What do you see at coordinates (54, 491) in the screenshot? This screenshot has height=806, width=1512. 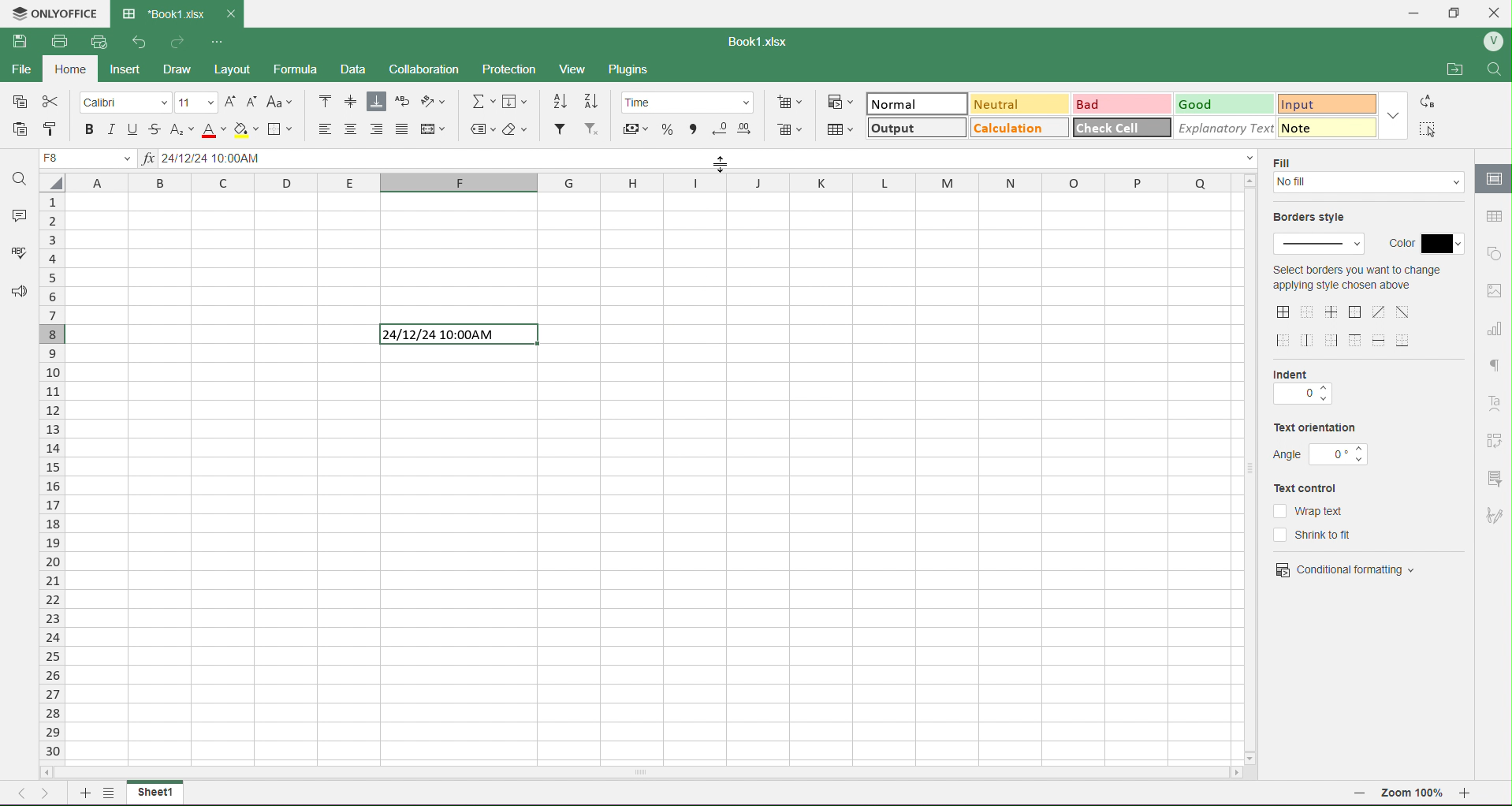 I see `Rows Number` at bounding box center [54, 491].